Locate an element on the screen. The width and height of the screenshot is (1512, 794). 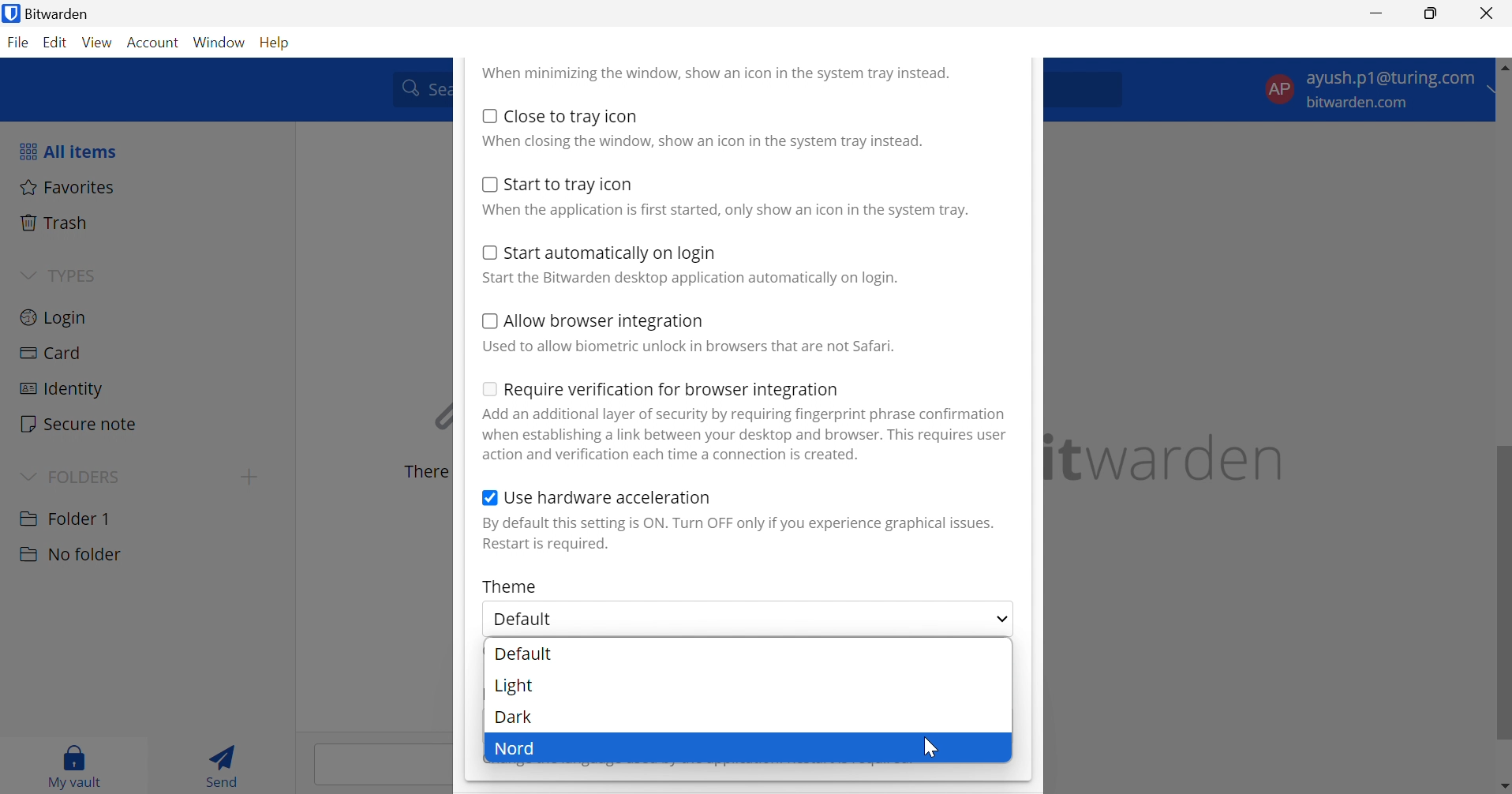
Scroll Bar is located at coordinates (1503, 422).